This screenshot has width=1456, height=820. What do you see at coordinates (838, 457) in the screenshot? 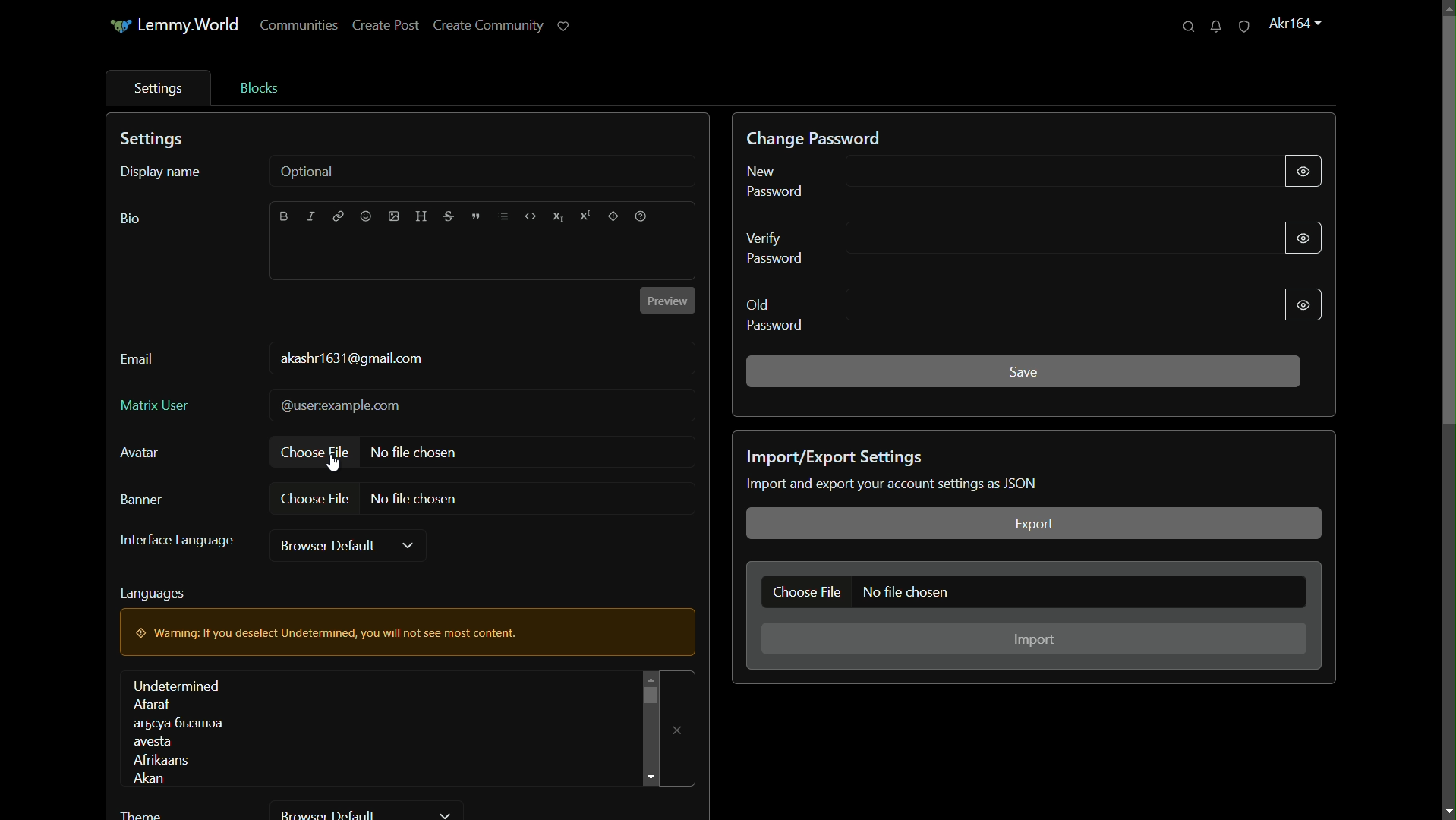
I see `import/export settings` at bounding box center [838, 457].